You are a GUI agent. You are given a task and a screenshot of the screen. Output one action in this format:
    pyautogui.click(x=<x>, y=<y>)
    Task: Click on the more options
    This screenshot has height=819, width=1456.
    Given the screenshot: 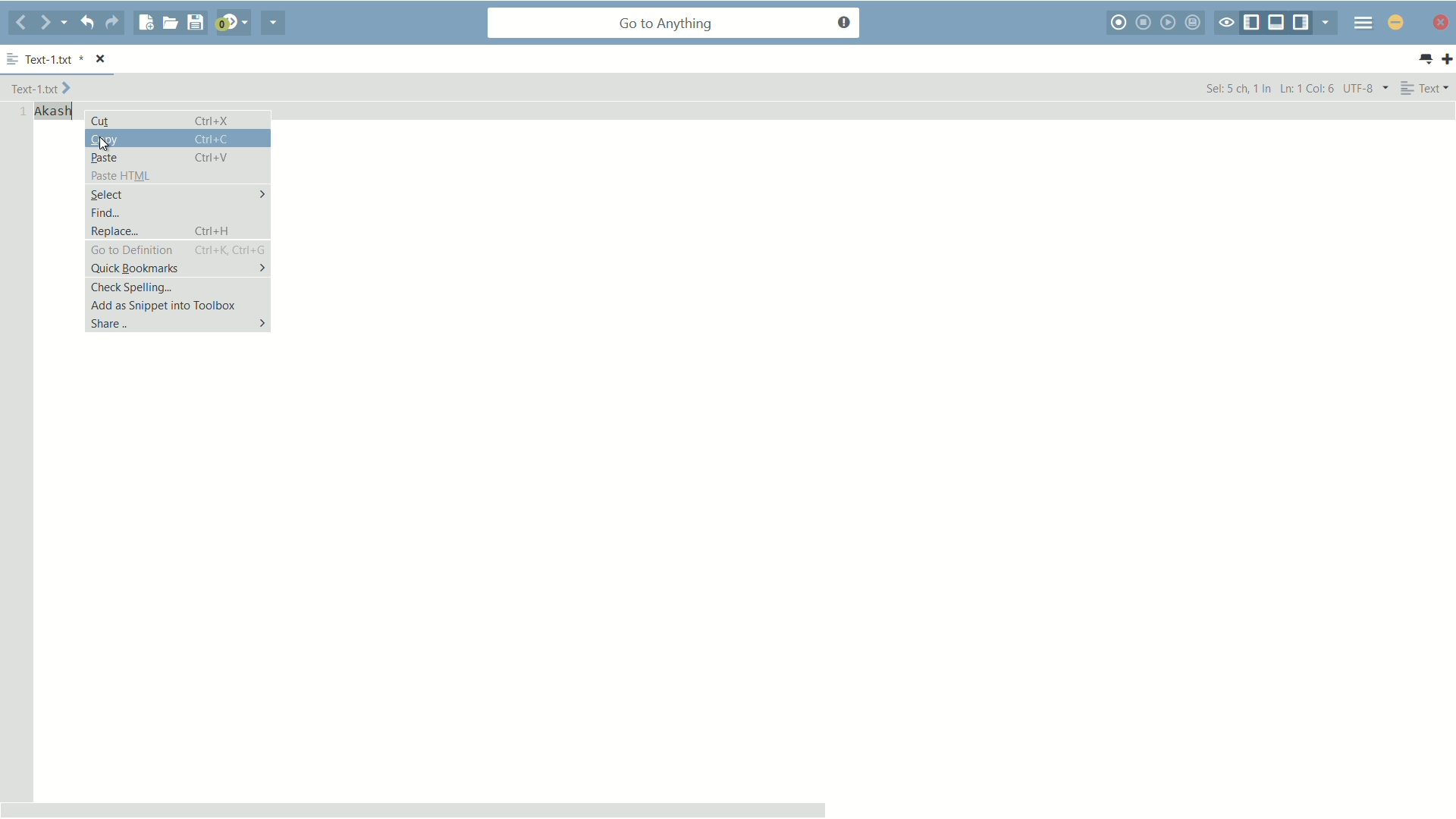 What is the action you would take?
    pyautogui.click(x=13, y=60)
    